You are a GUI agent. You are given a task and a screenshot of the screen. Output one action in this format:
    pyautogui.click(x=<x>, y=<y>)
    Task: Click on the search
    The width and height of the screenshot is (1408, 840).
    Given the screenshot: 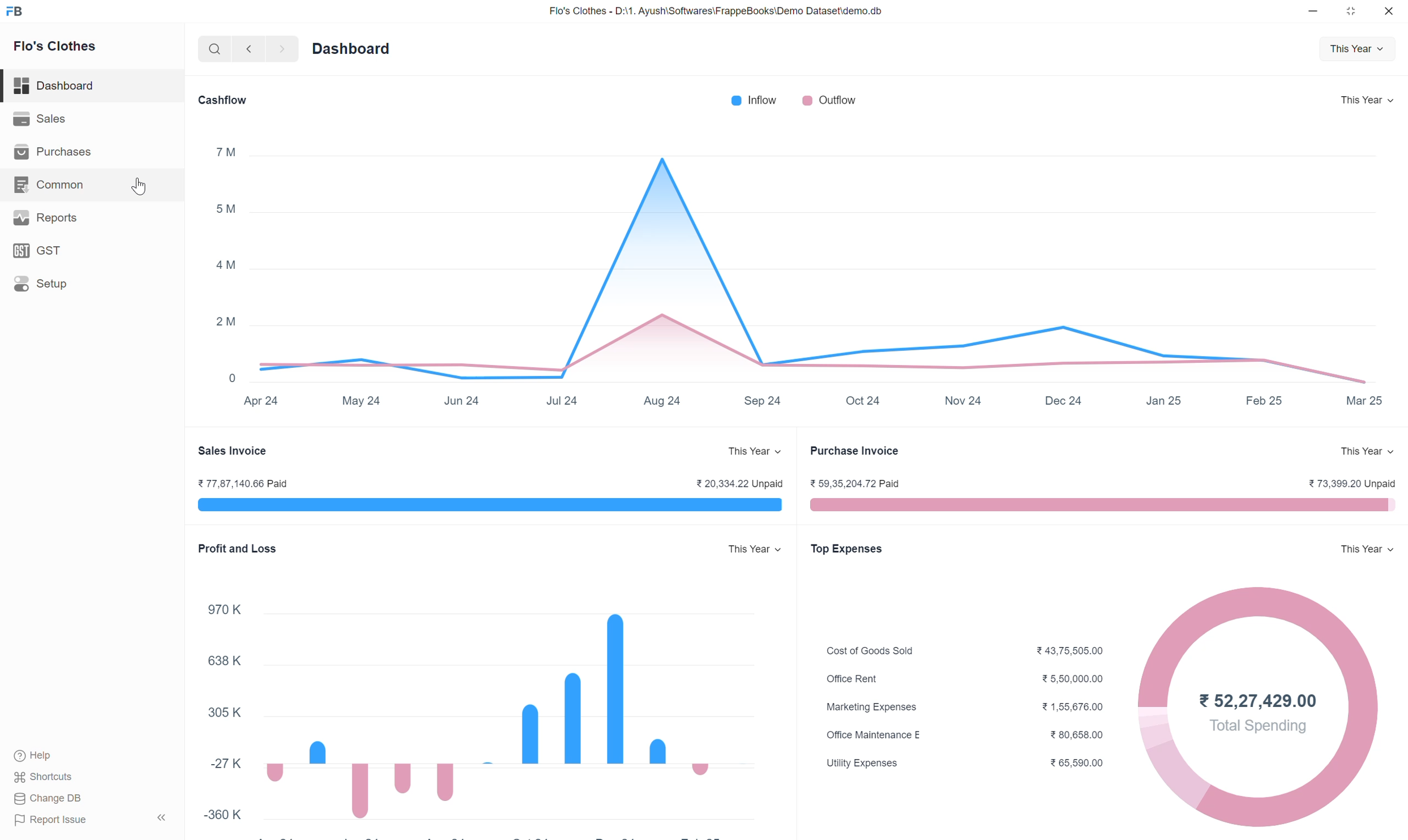 What is the action you would take?
    pyautogui.click(x=216, y=49)
    